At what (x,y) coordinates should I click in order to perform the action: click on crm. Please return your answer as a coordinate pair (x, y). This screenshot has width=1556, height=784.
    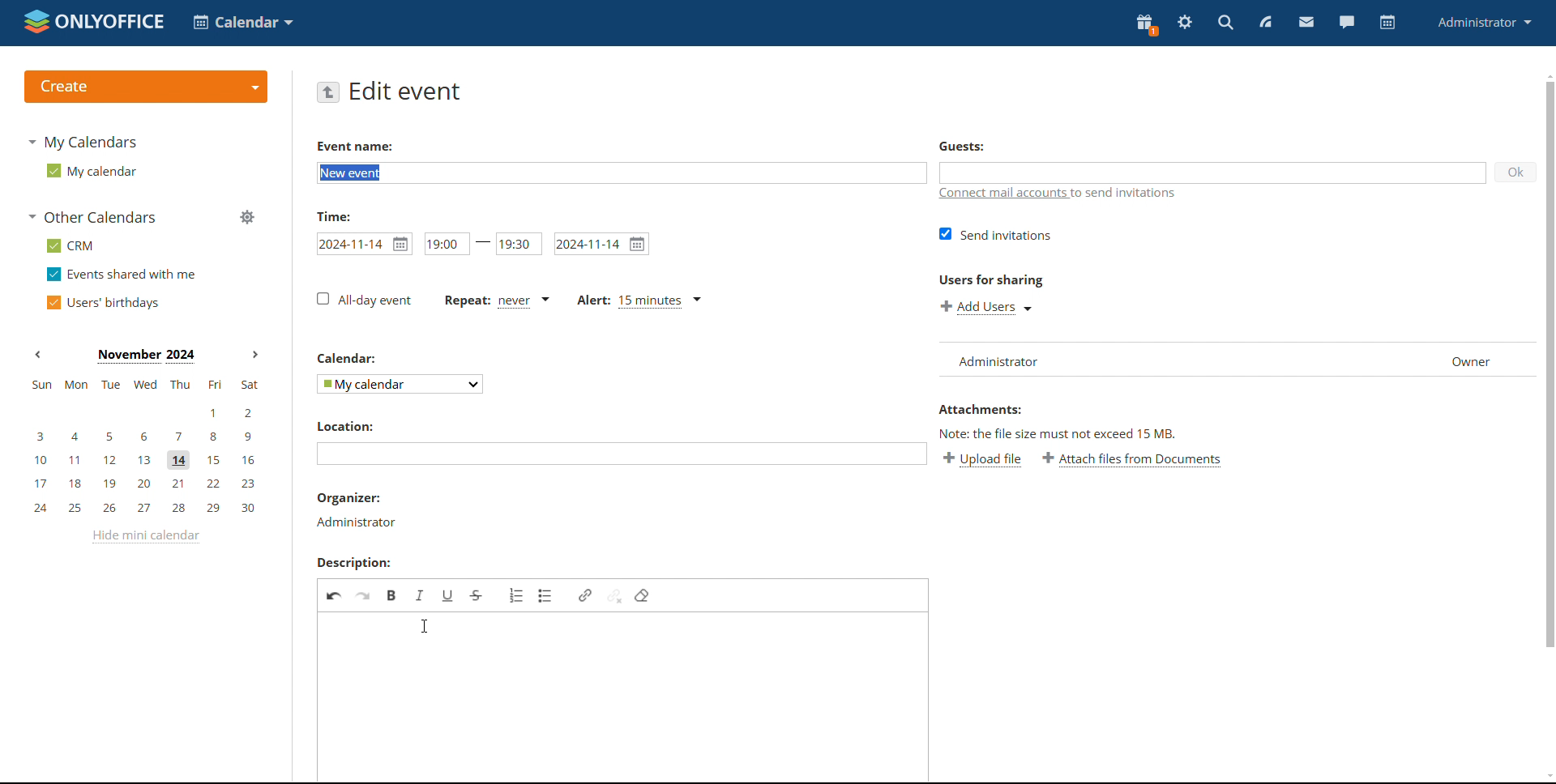
    Looking at the image, I should click on (68, 245).